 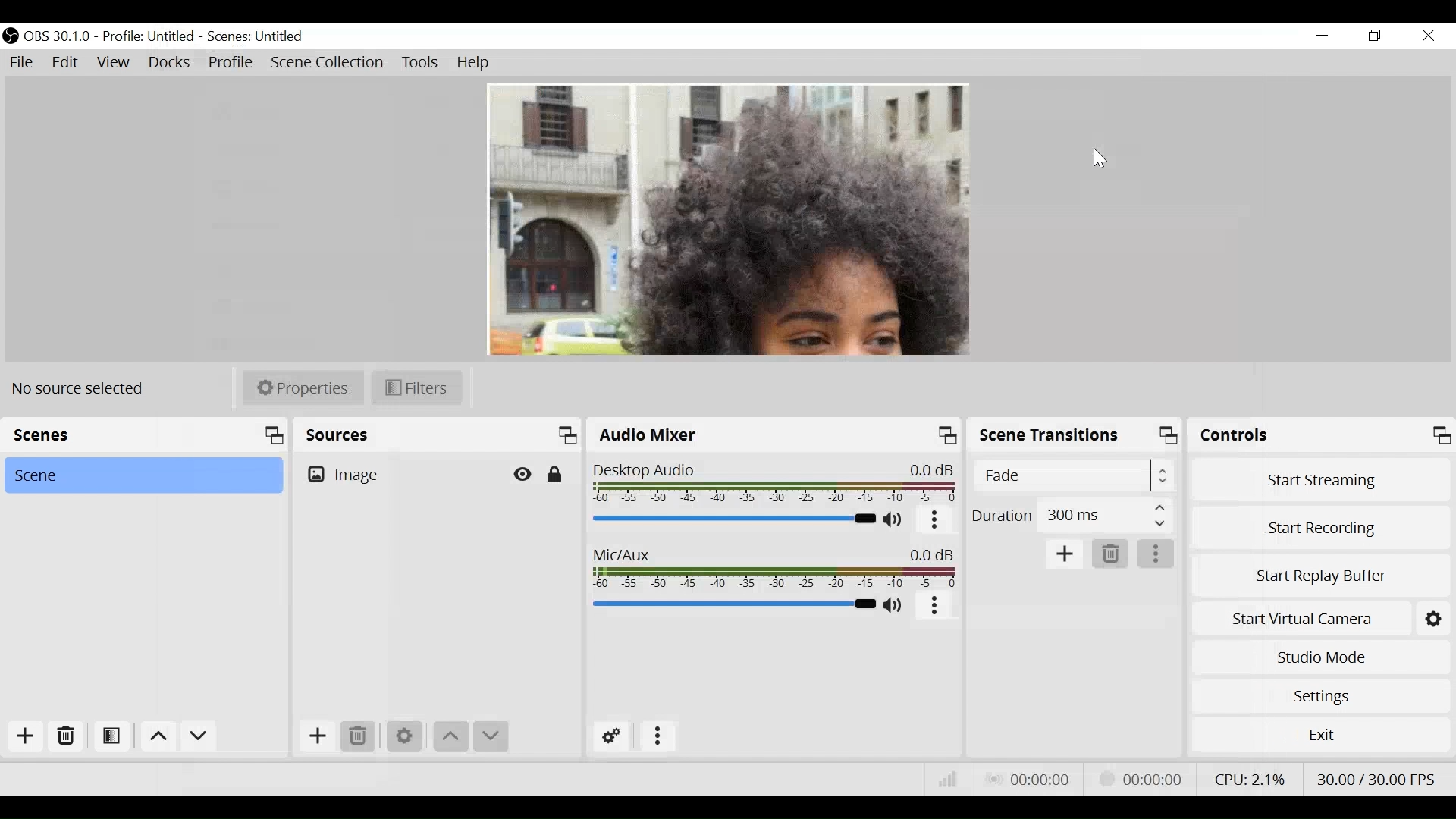 I want to click on Delete, so click(x=66, y=739).